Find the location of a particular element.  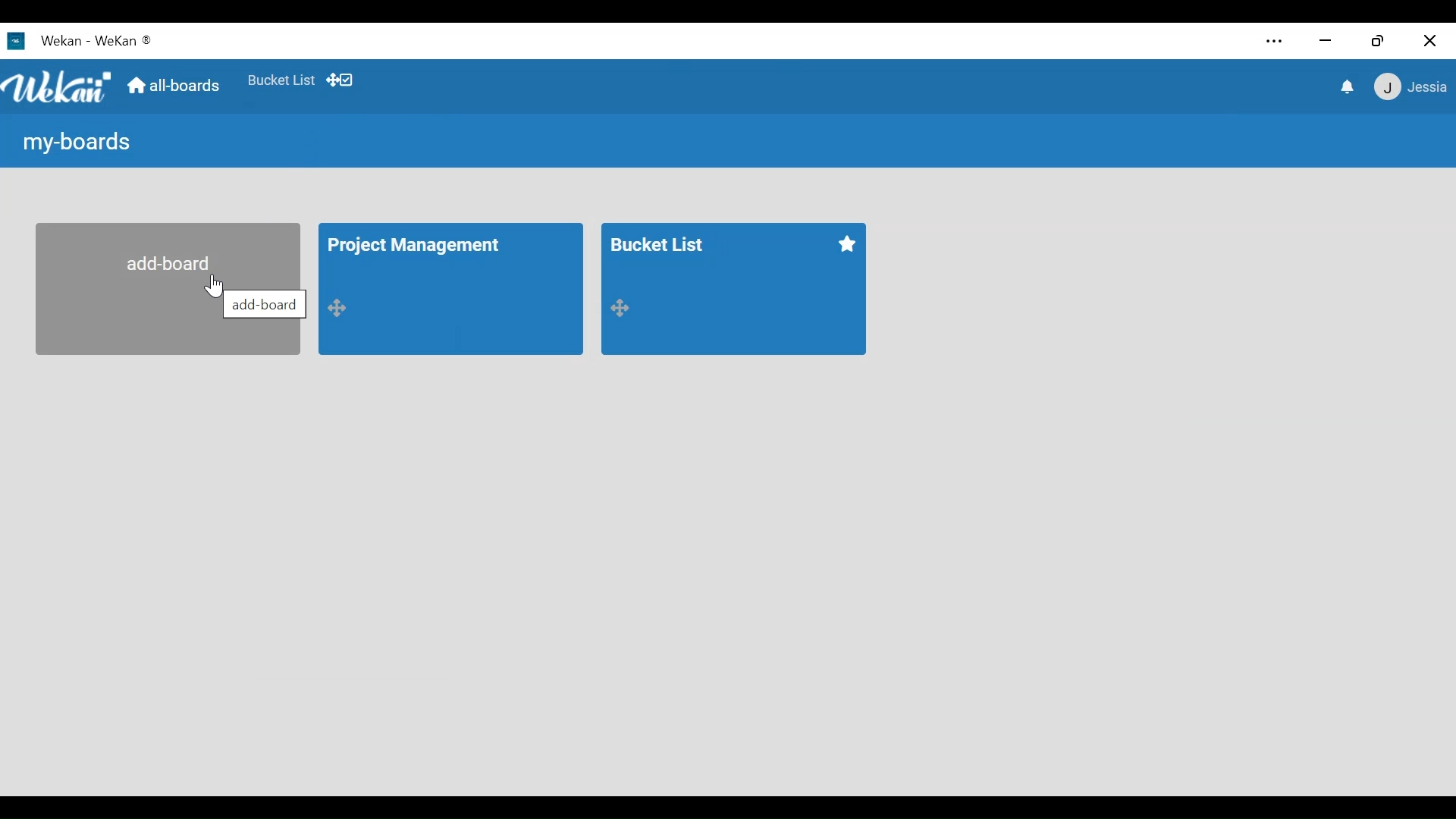

Close is located at coordinates (1429, 40).